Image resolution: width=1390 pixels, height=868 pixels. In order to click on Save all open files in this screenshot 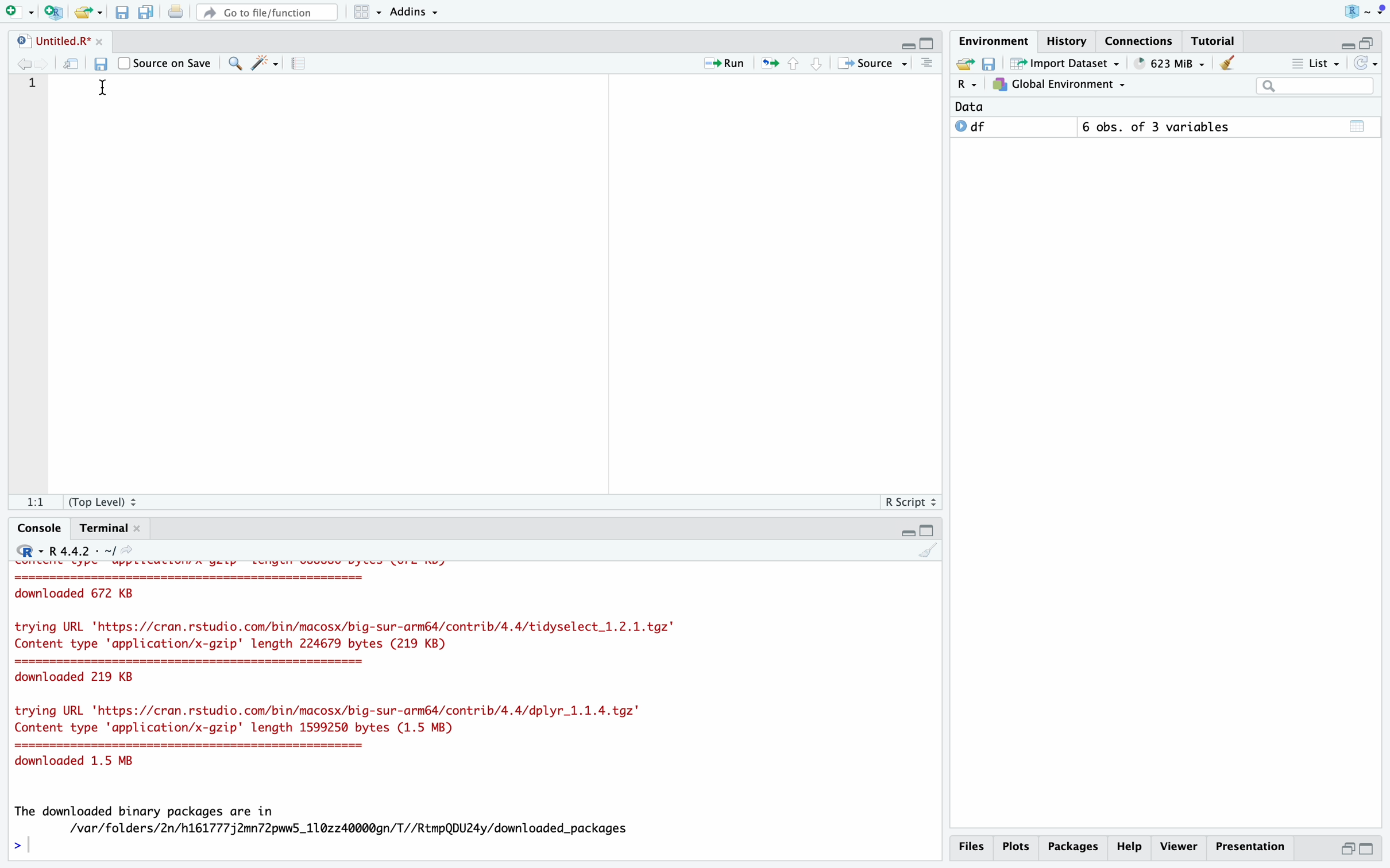, I will do `click(146, 12)`.